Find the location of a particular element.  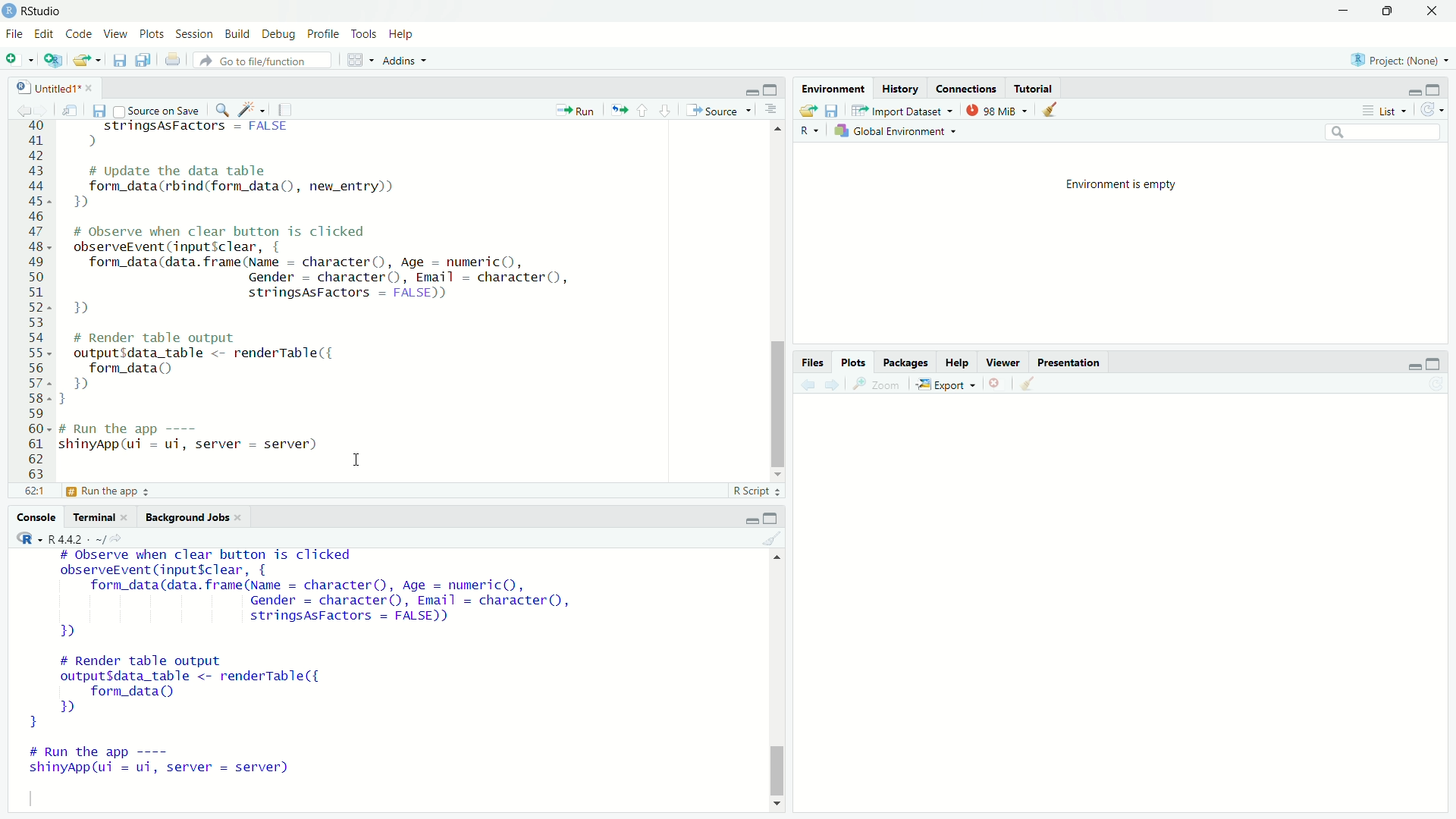

clear console is located at coordinates (775, 538).